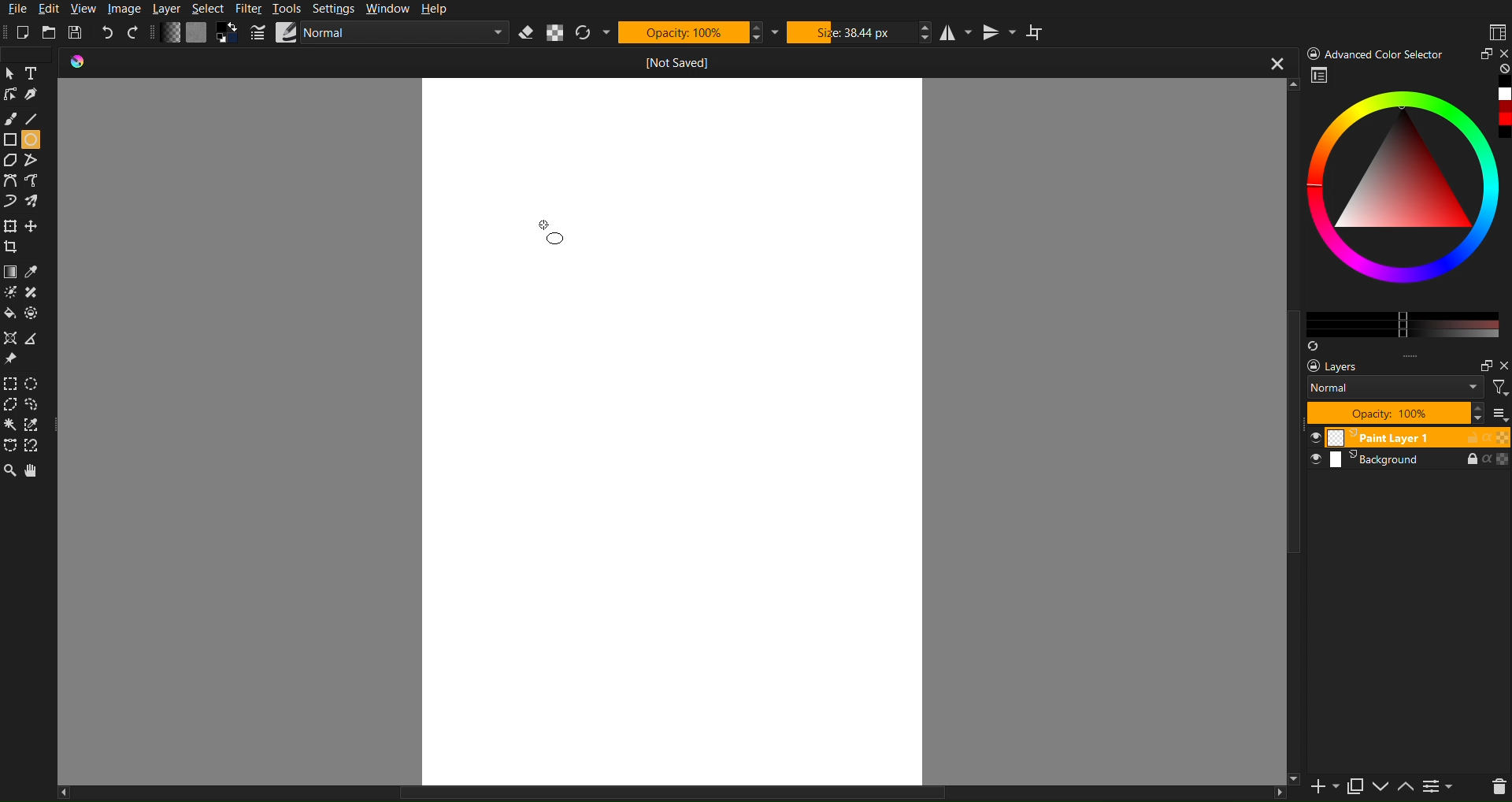 This screenshot has height=802, width=1512. What do you see at coordinates (34, 273) in the screenshot?
I see `Color drop` at bounding box center [34, 273].